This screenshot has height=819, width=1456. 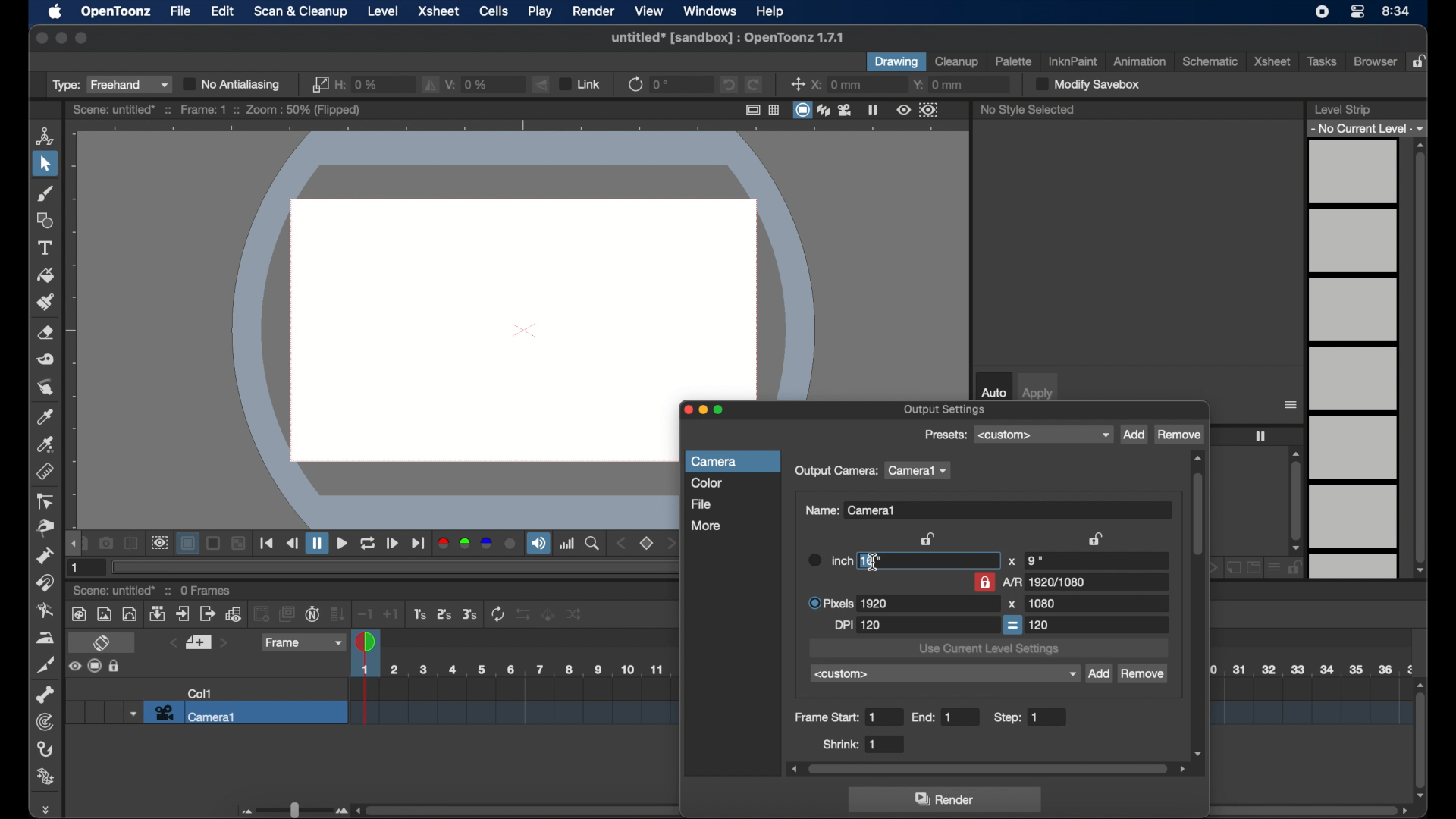 I want to click on scroll box, so click(x=1198, y=605).